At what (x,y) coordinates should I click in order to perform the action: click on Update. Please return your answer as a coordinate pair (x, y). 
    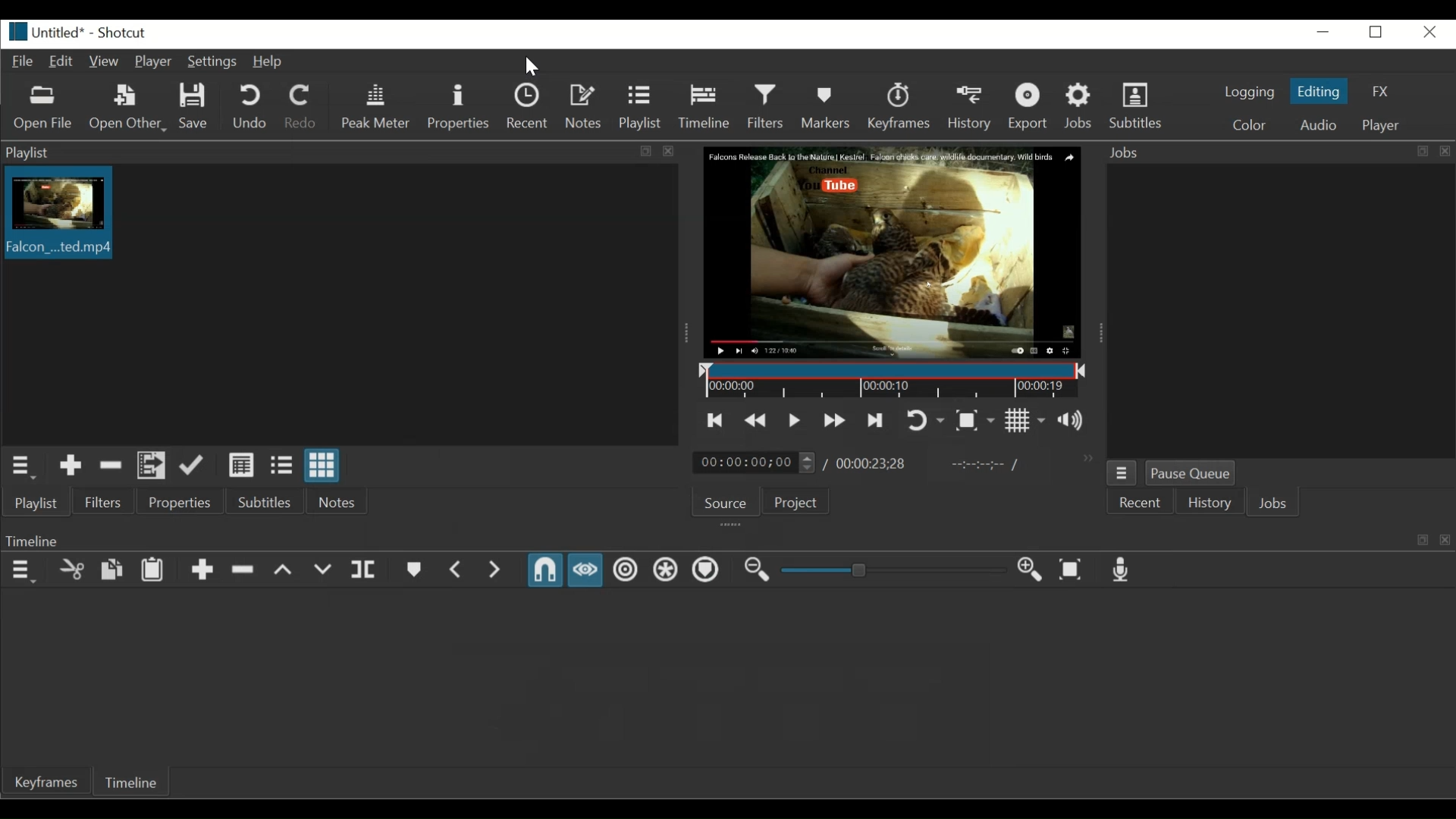
    Looking at the image, I should click on (194, 467).